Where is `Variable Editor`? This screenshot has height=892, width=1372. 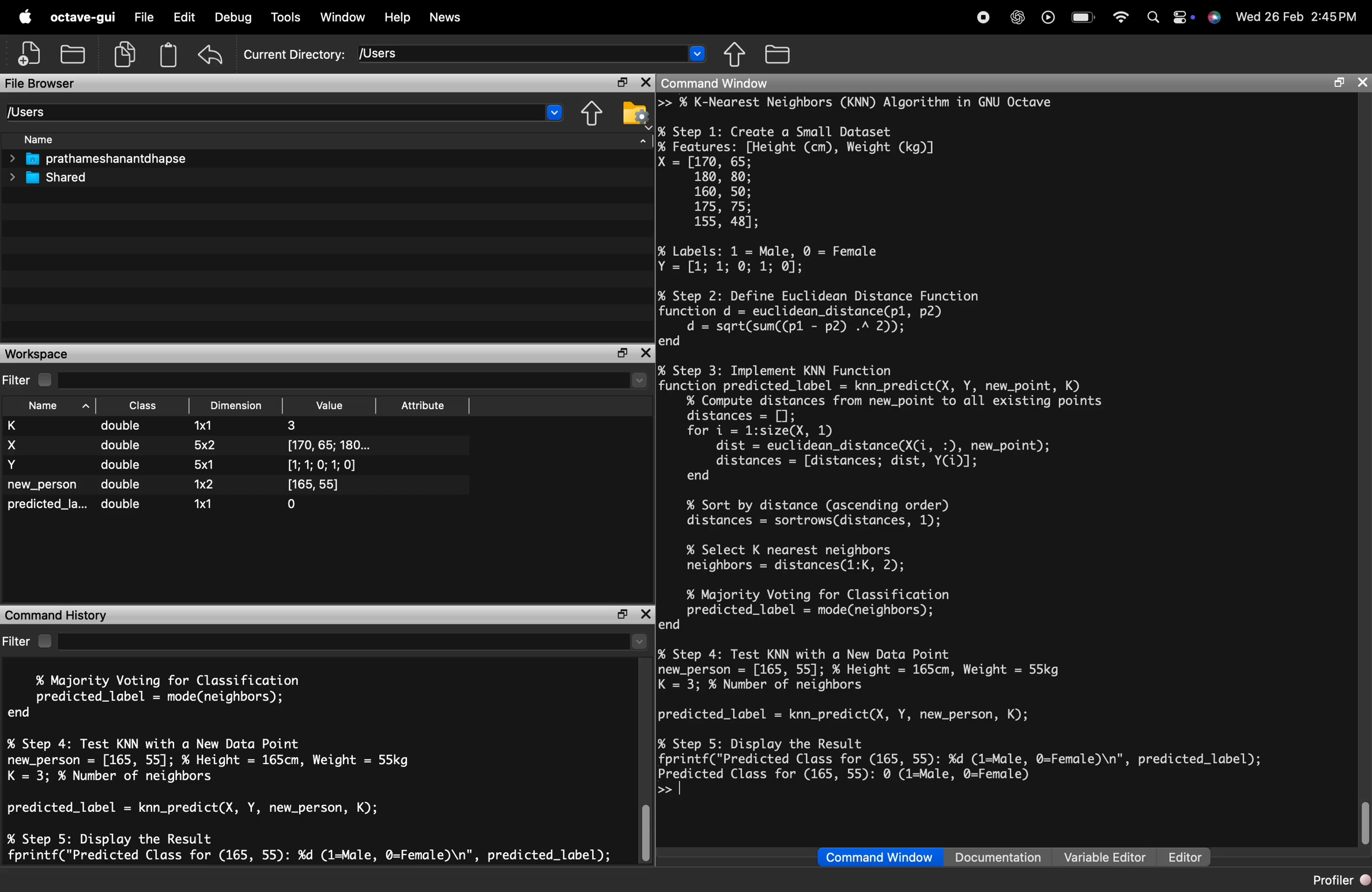 Variable Editor is located at coordinates (1099, 852).